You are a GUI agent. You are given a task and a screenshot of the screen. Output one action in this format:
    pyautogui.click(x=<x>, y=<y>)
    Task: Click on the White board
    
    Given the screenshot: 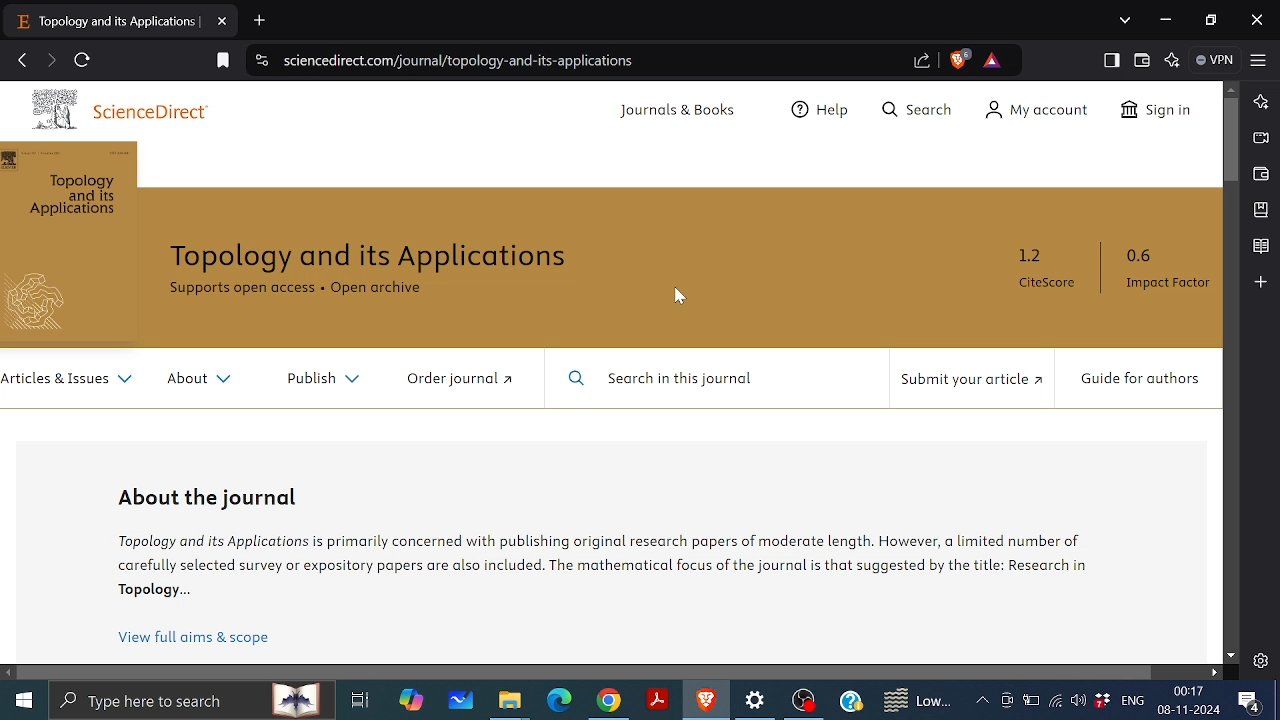 What is the action you would take?
    pyautogui.click(x=461, y=704)
    